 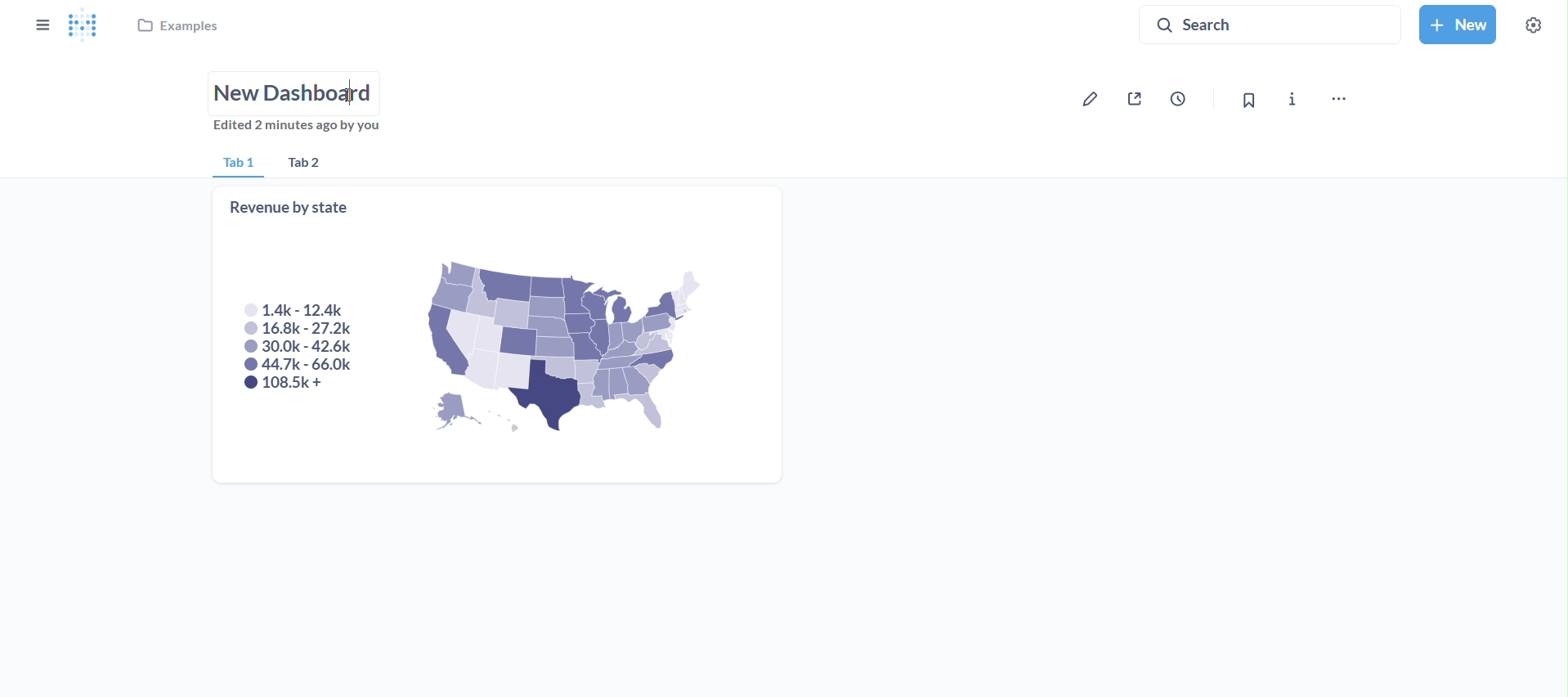 I want to click on logo, so click(x=87, y=26).